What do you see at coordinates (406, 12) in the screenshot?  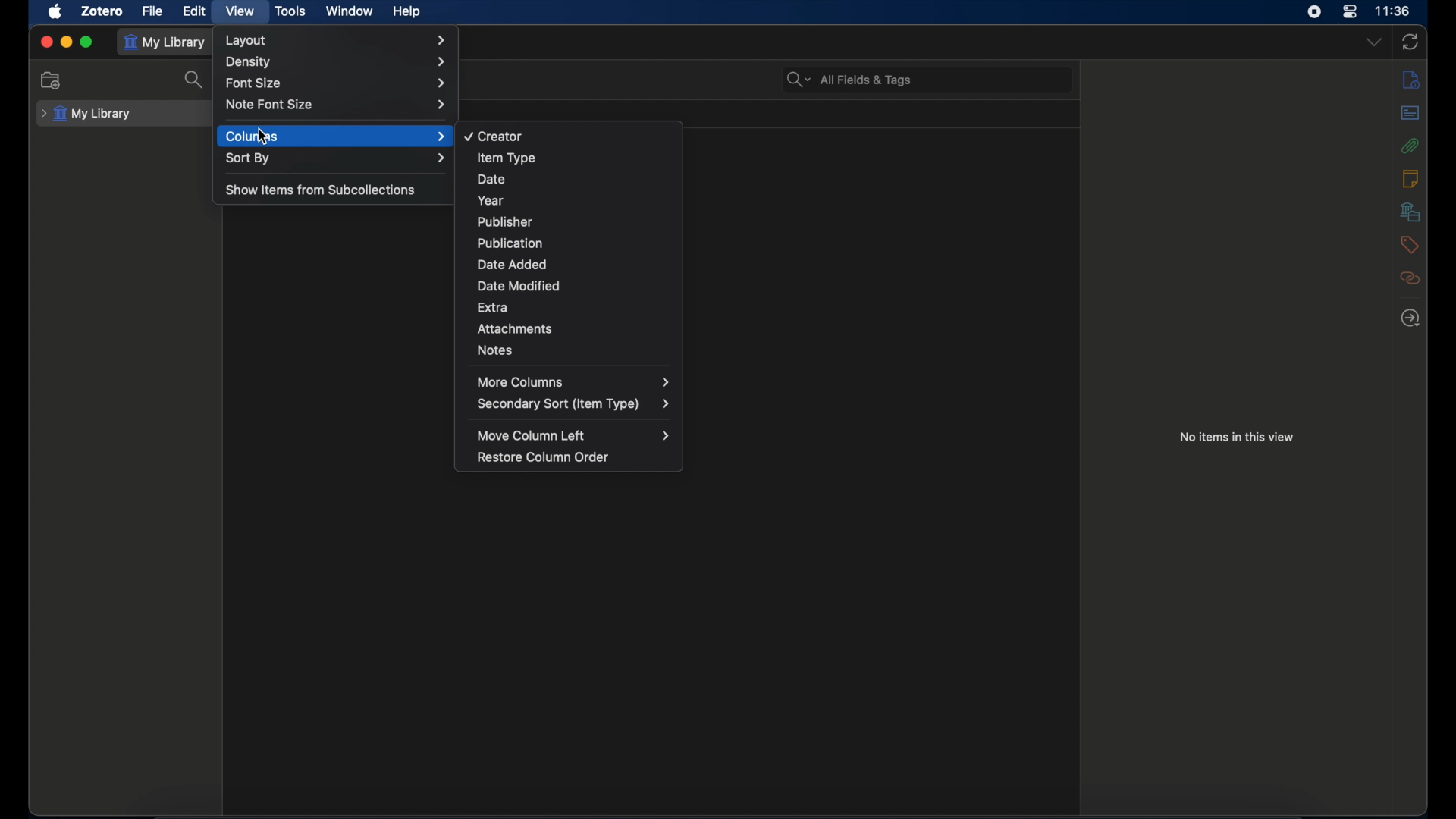 I see `help` at bounding box center [406, 12].